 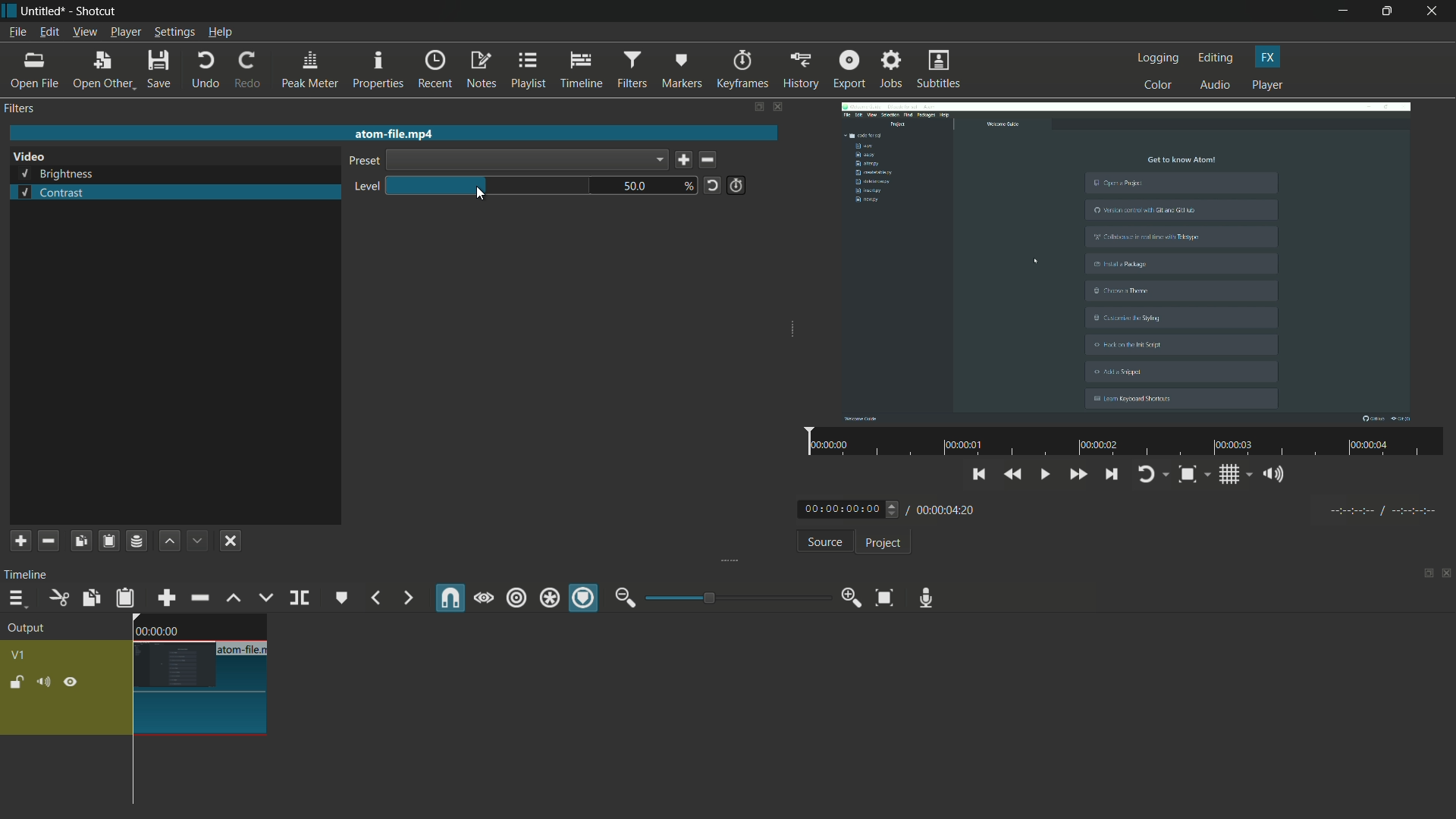 I want to click on playlist, so click(x=529, y=70).